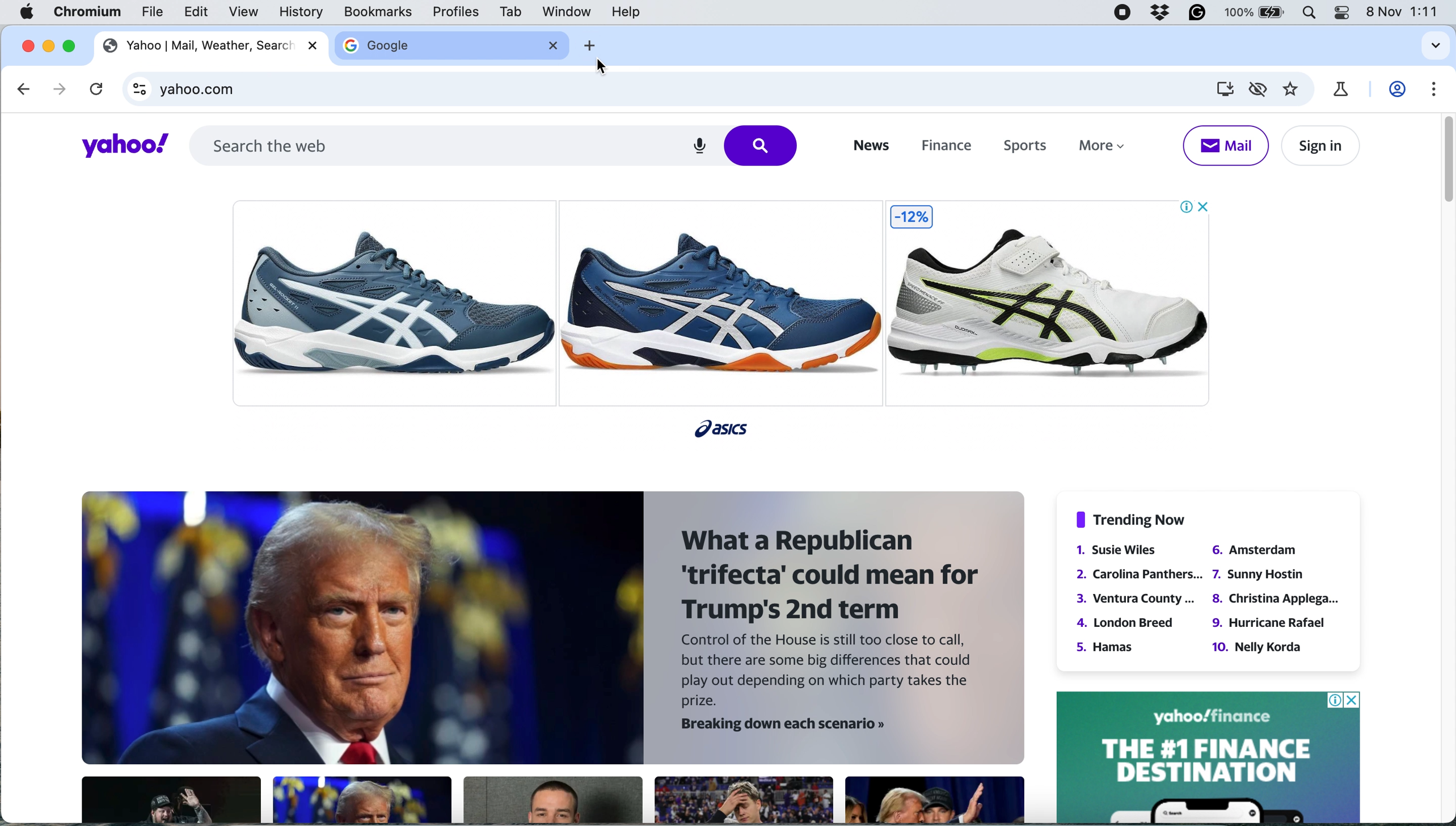 Image resolution: width=1456 pixels, height=826 pixels. What do you see at coordinates (299, 12) in the screenshot?
I see `history` at bounding box center [299, 12].